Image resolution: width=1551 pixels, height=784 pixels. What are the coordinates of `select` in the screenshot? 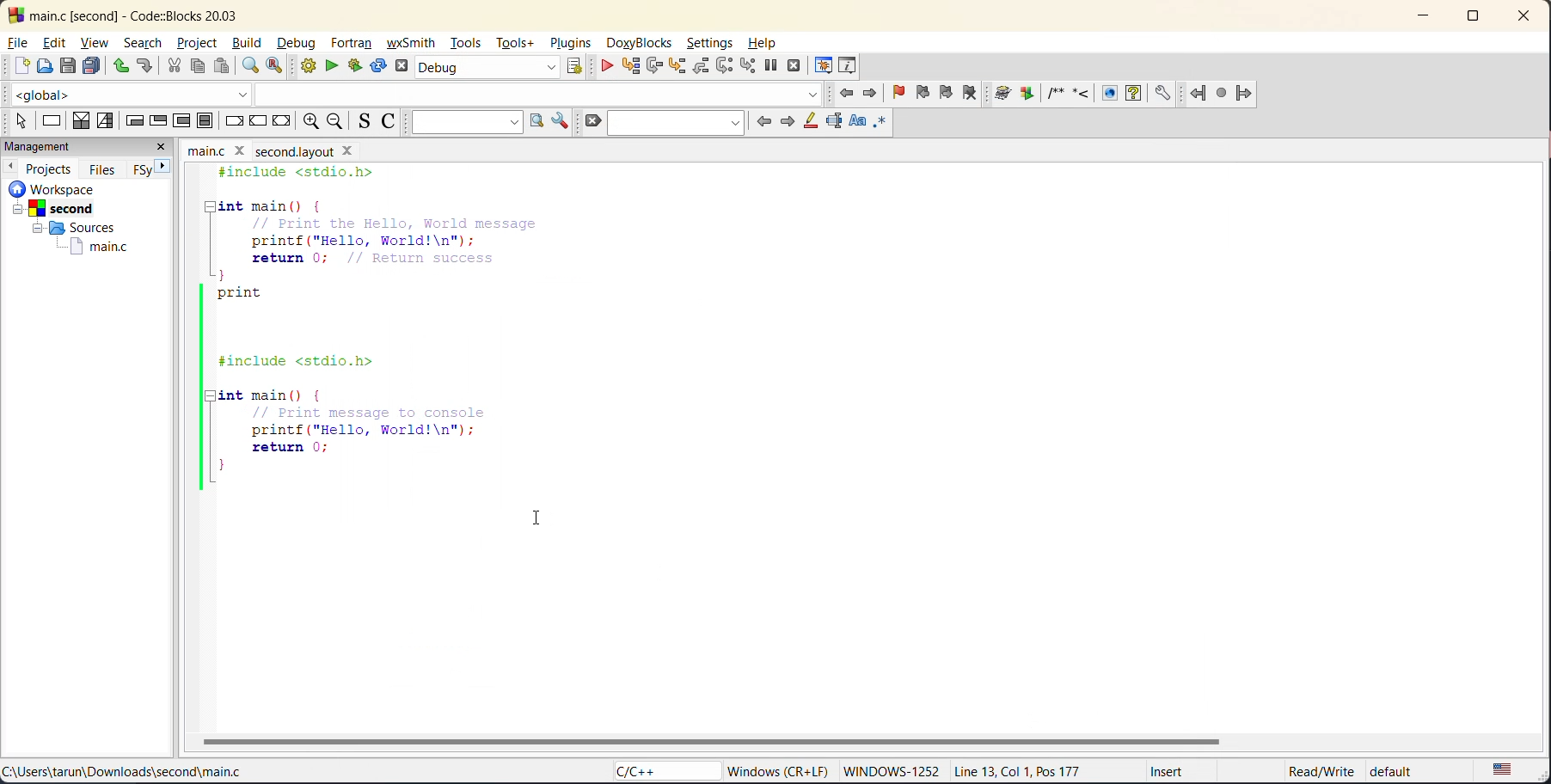 It's located at (15, 119).